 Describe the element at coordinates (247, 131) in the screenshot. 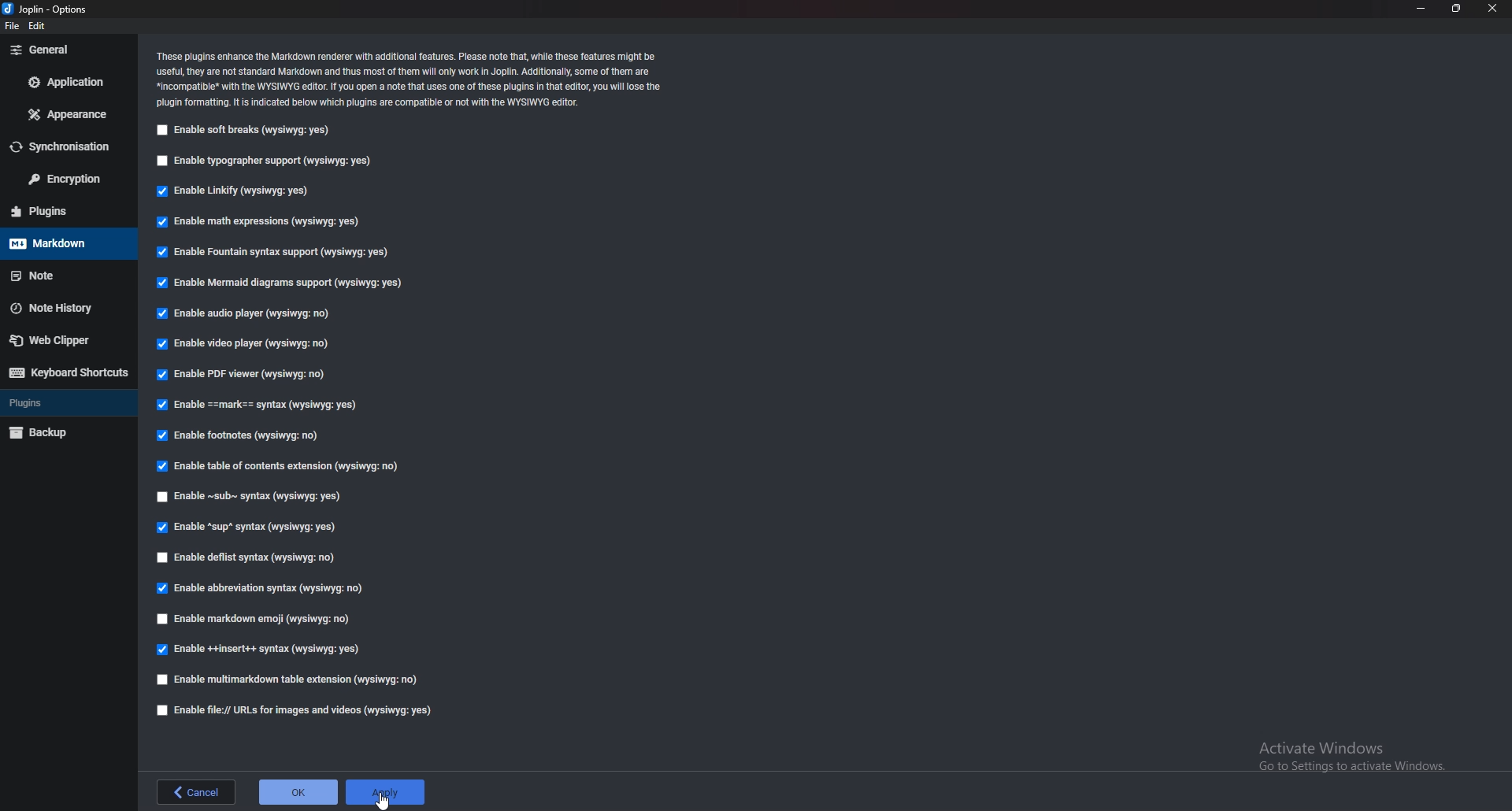

I see `Enable soft breaks` at that location.